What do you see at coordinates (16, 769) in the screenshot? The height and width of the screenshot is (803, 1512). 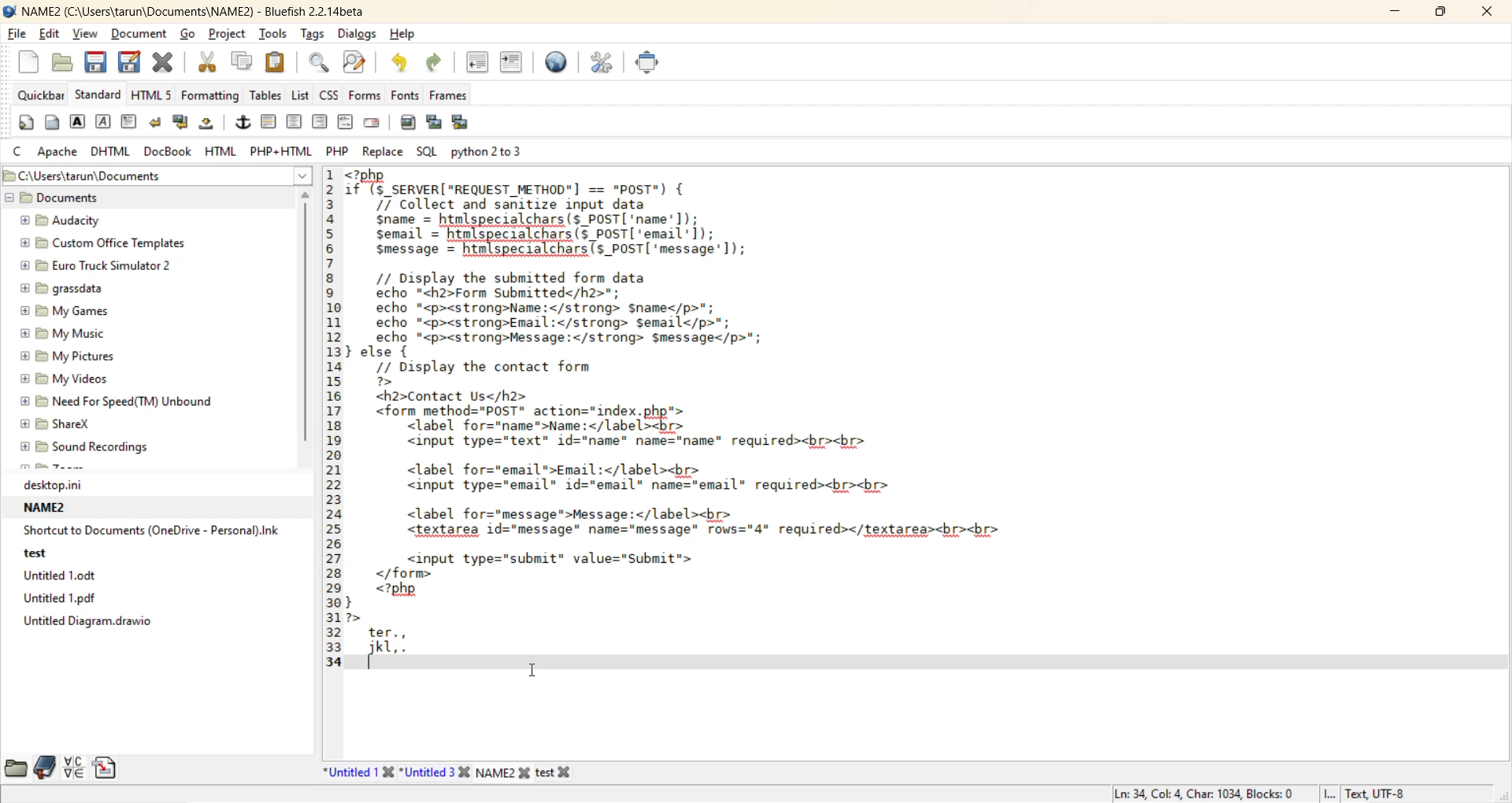 I see `file browser` at bounding box center [16, 769].